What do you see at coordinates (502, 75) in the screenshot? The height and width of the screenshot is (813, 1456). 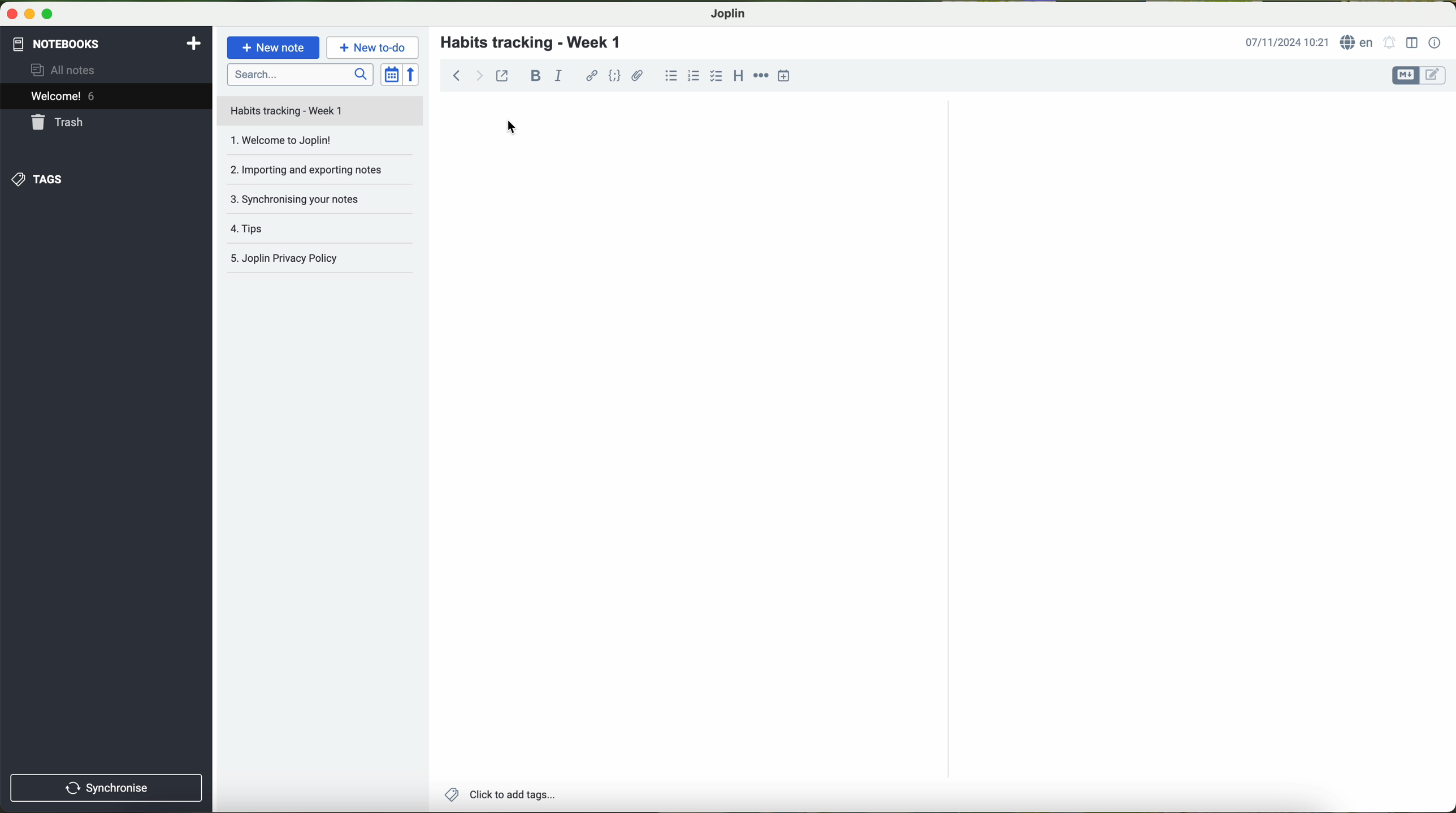 I see `toggle external editing` at bounding box center [502, 75].